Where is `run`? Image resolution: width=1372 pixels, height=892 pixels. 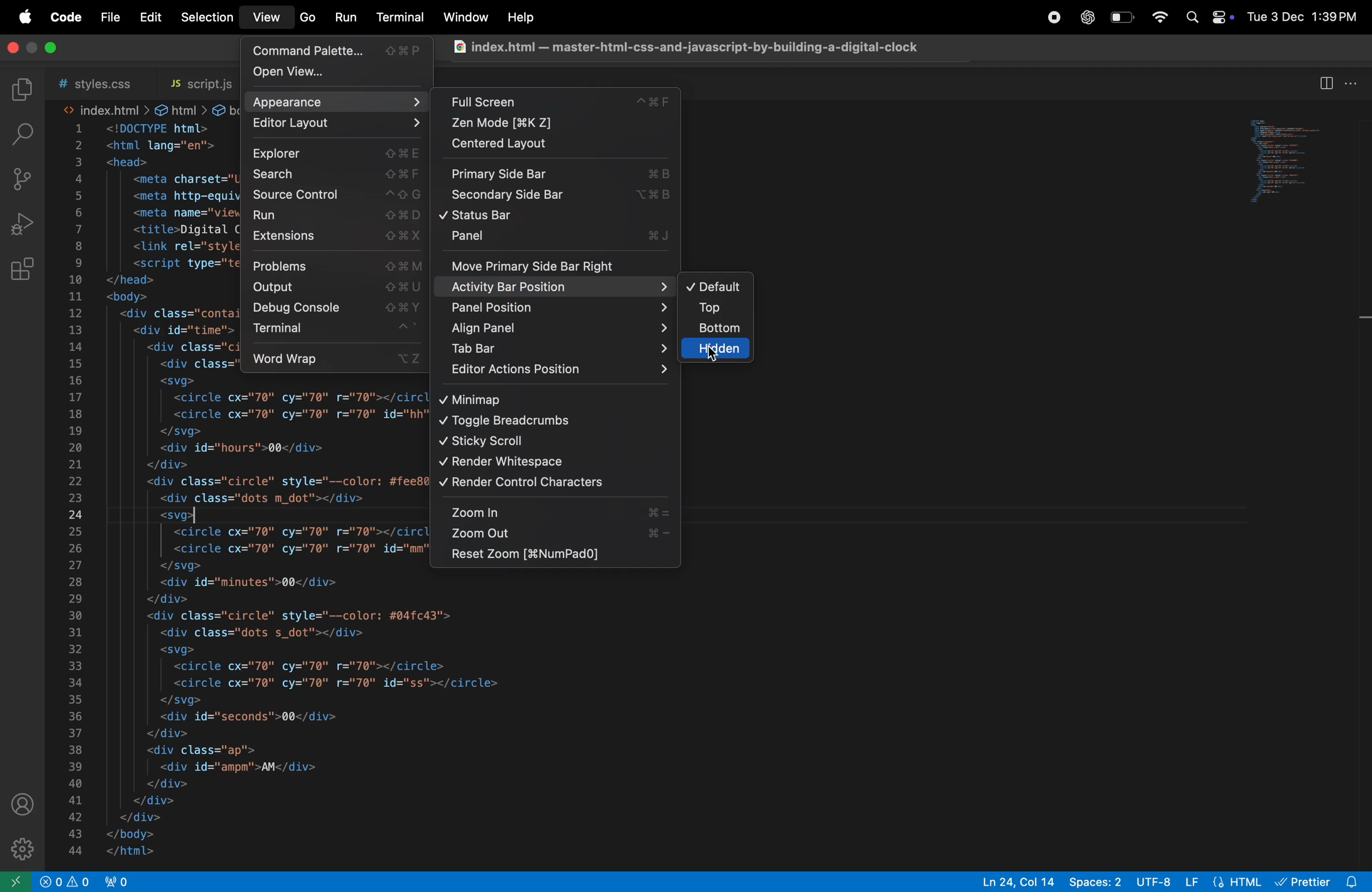 run is located at coordinates (338, 216).